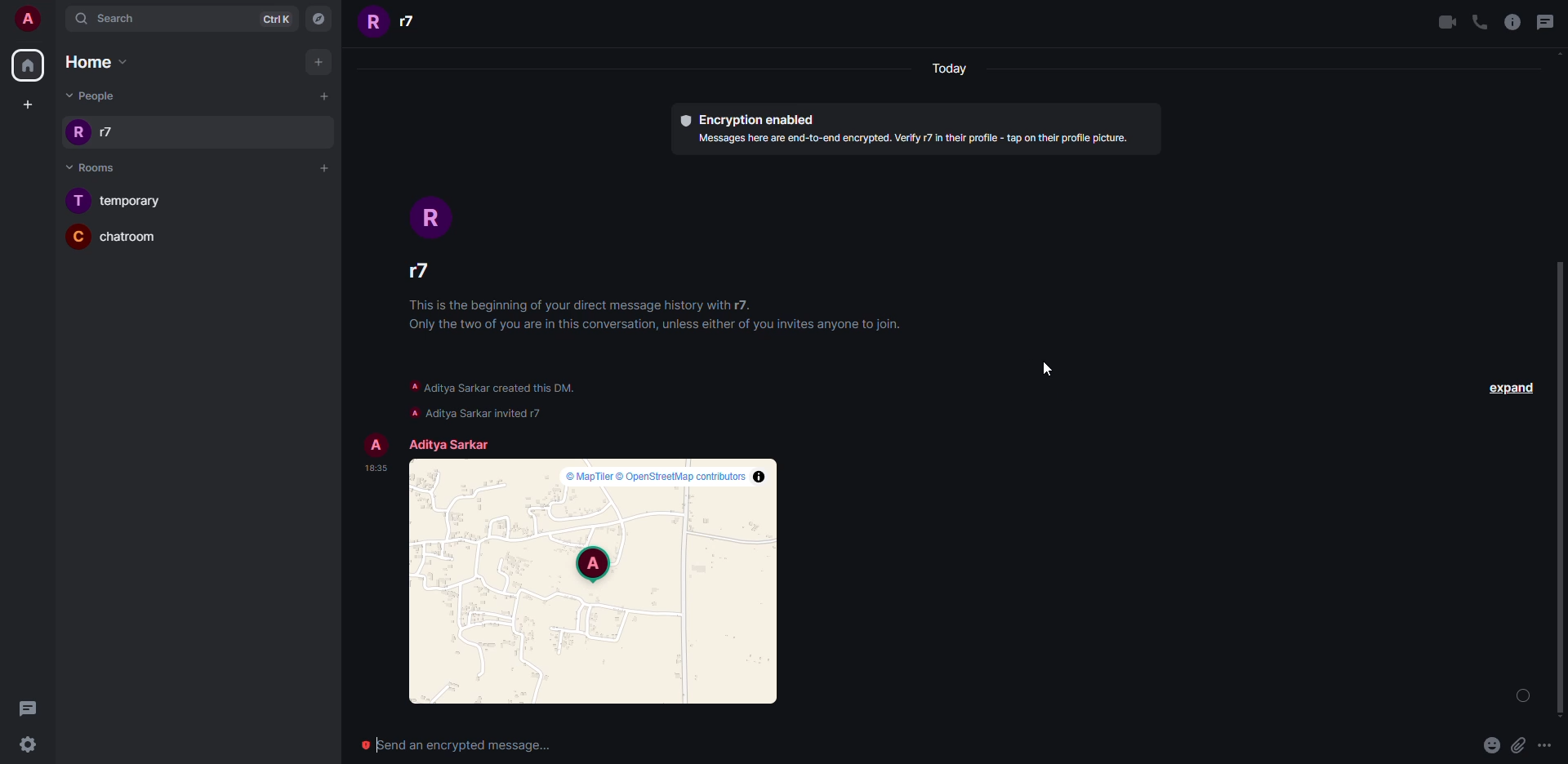  I want to click on map info, so click(664, 475).